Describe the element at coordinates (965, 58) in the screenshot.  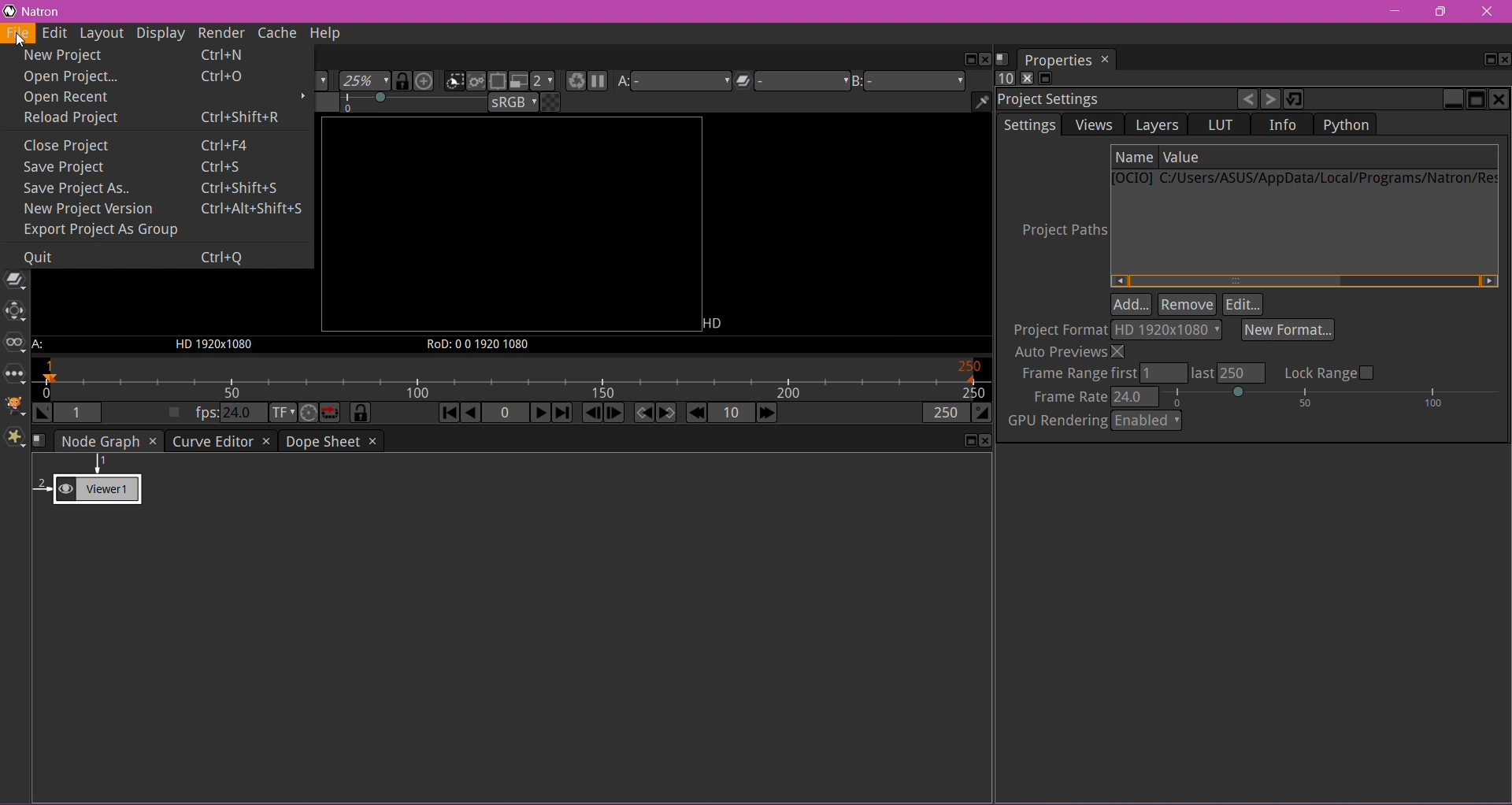
I see `Float pane` at that location.